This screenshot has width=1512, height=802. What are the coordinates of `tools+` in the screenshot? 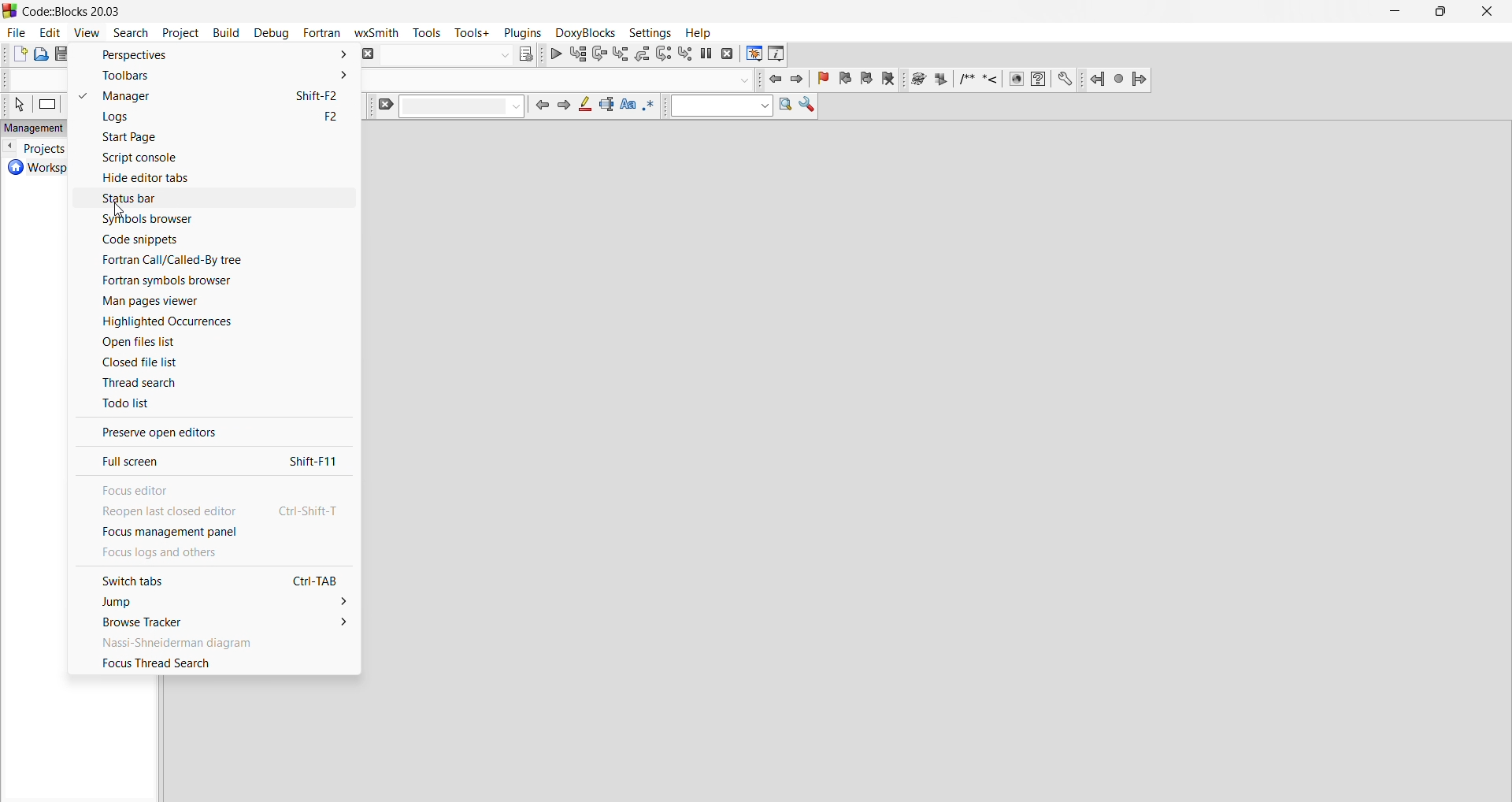 It's located at (473, 33).